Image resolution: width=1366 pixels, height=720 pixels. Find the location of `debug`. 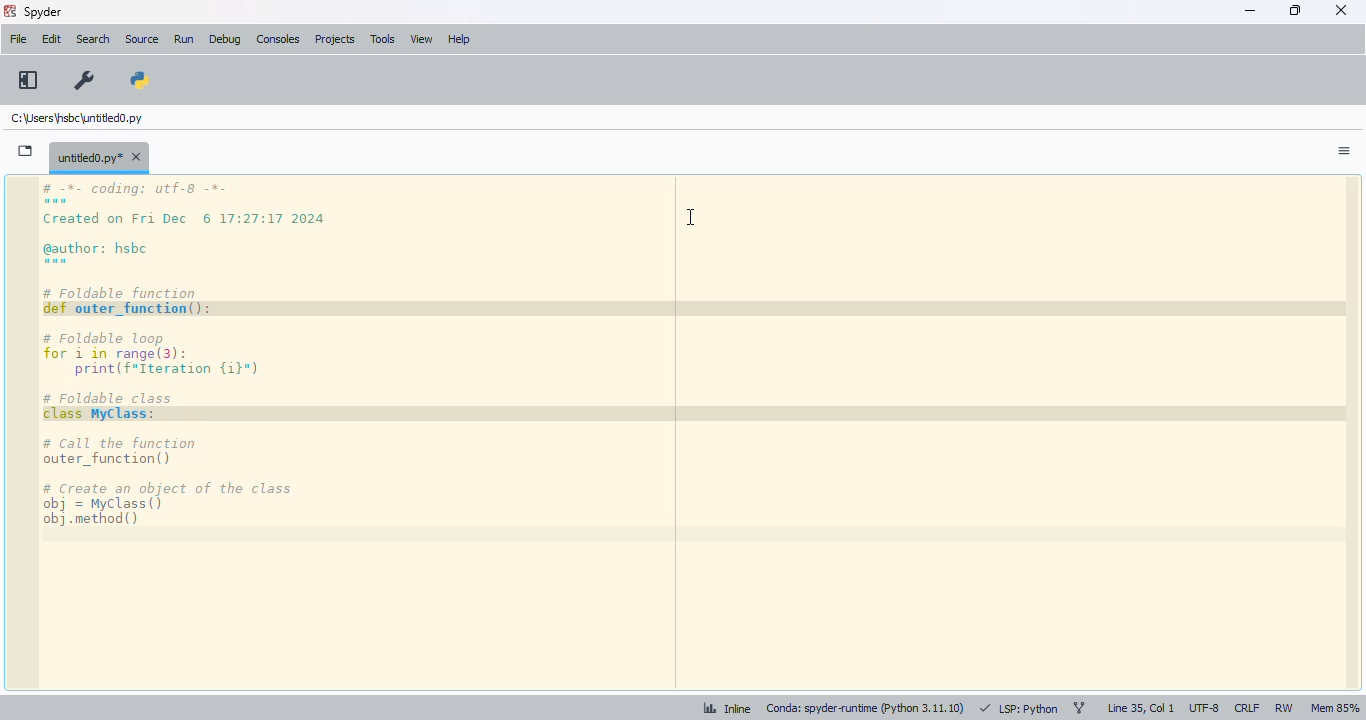

debug is located at coordinates (226, 39).